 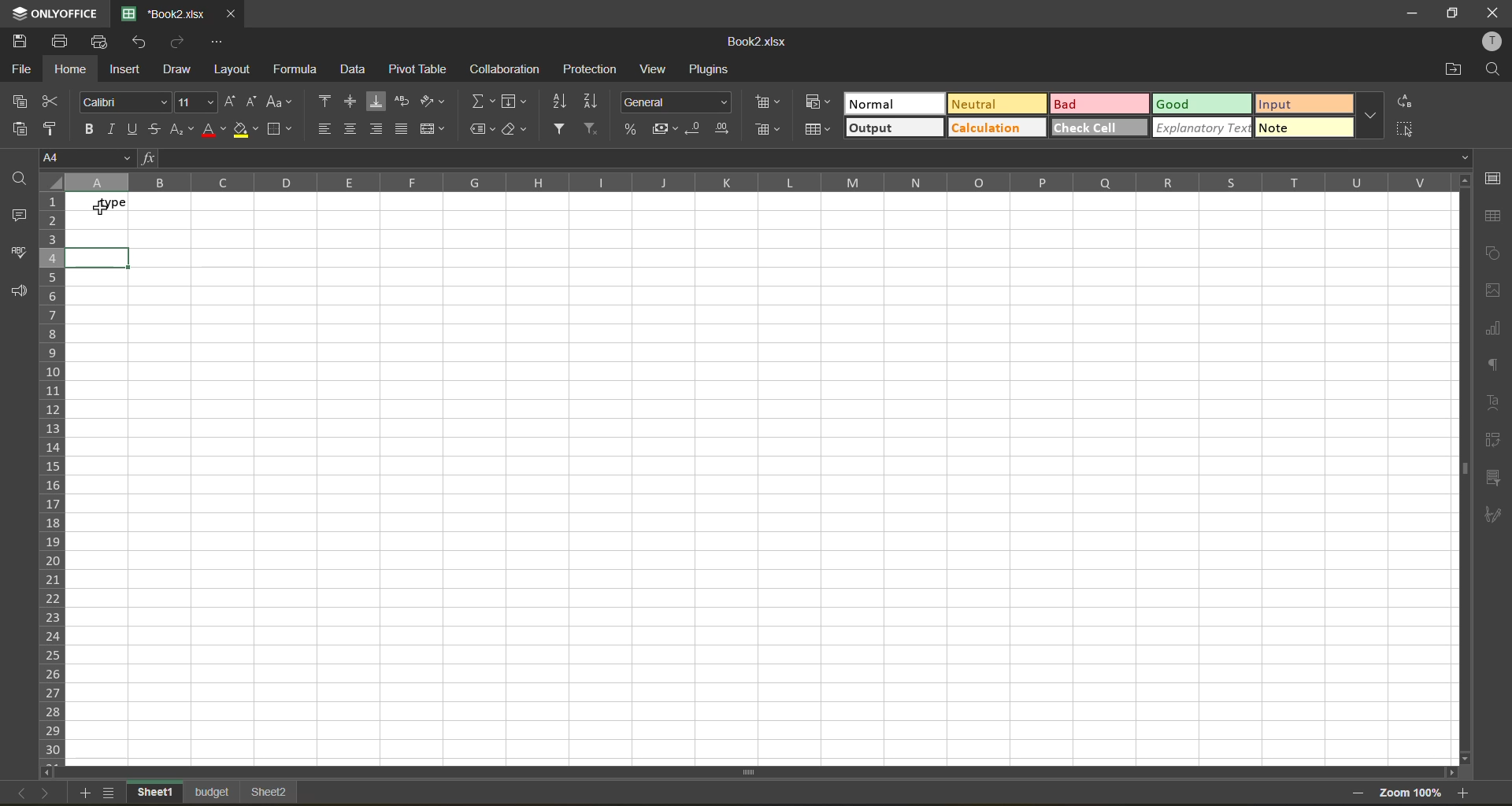 What do you see at coordinates (1495, 12) in the screenshot?
I see `close` at bounding box center [1495, 12].